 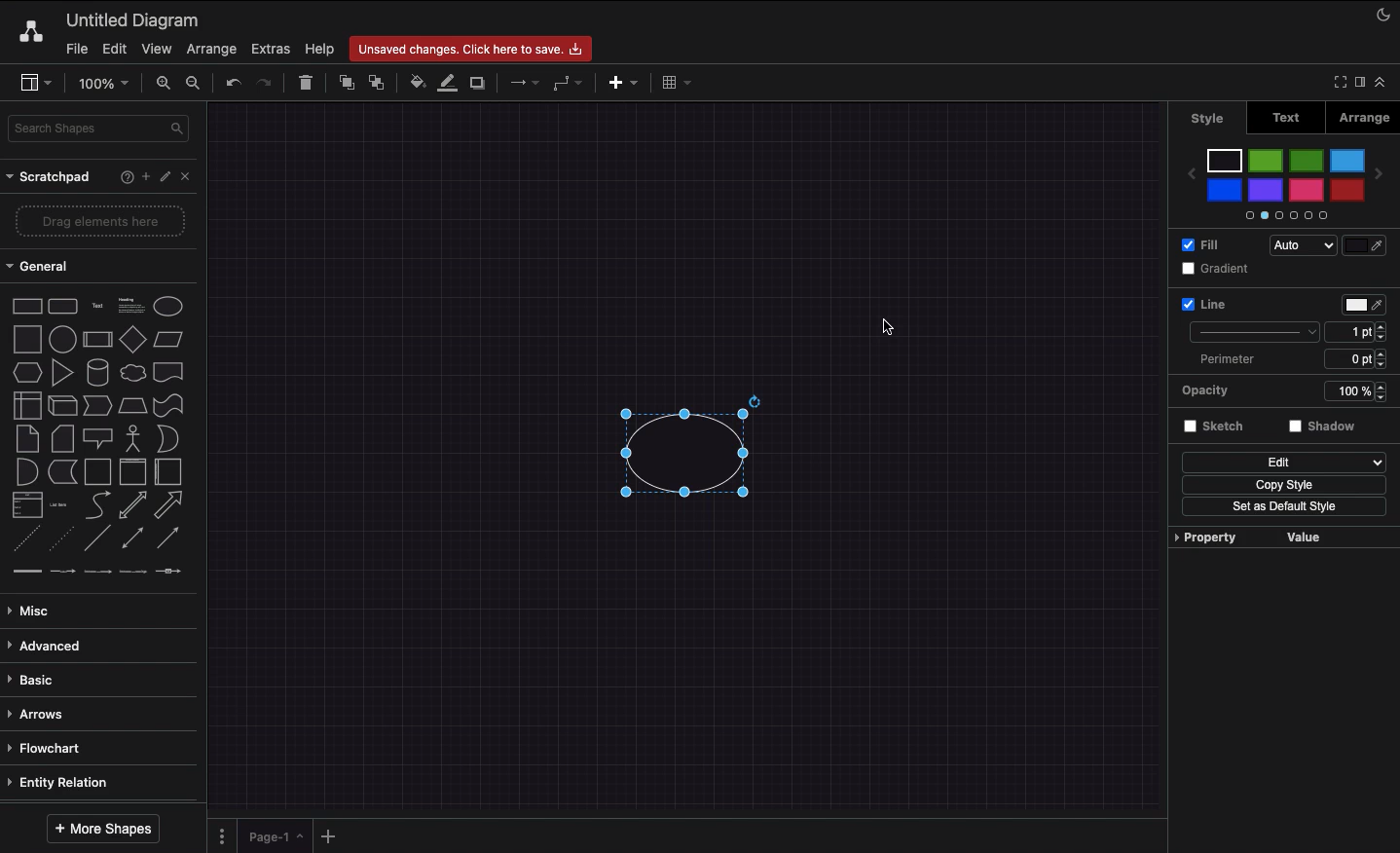 What do you see at coordinates (62, 473) in the screenshot?
I see `Data storage` at bounding box center [62, 473].